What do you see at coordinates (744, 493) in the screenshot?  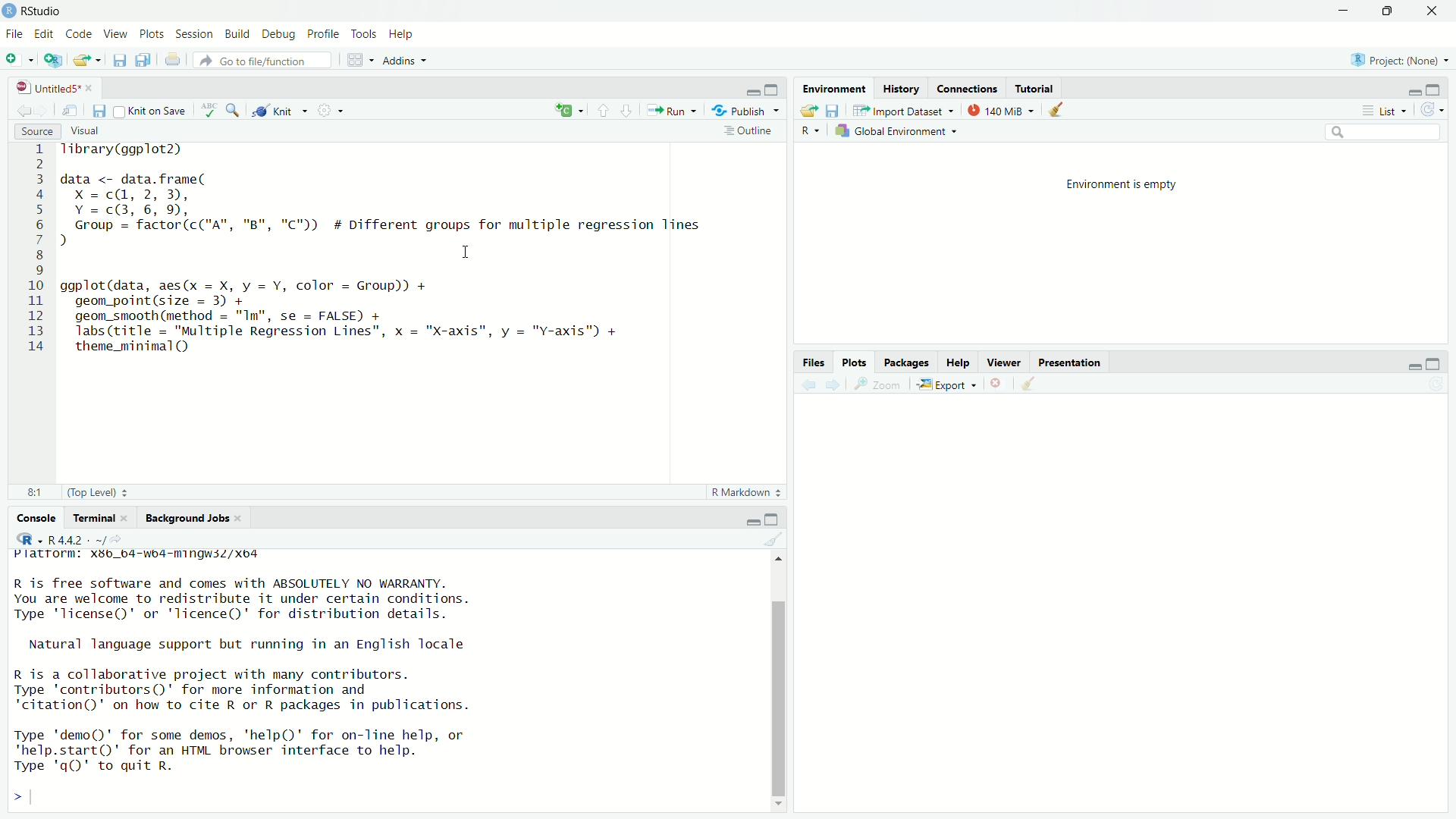 I see `R Markdown` at bounding box center [744, 493].